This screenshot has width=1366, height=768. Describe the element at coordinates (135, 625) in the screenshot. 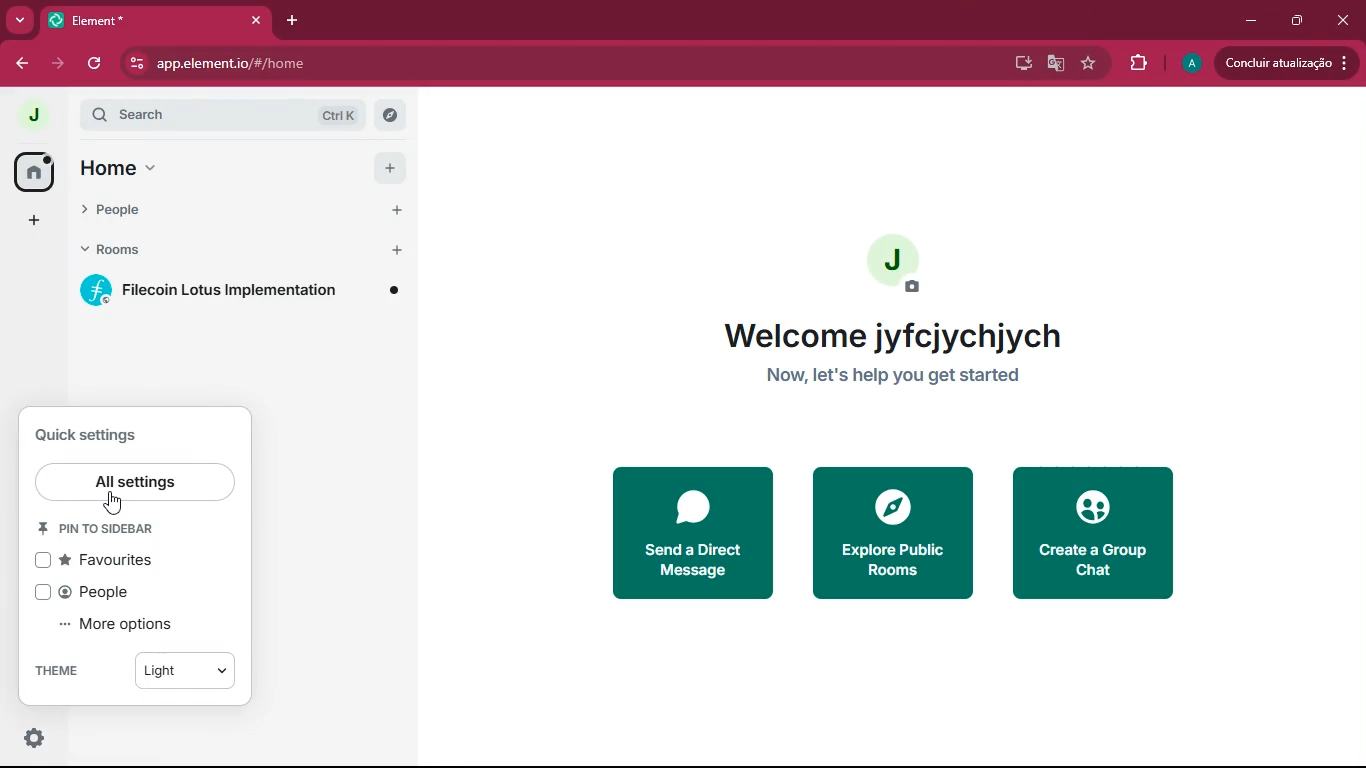

I see `more options` at that location.